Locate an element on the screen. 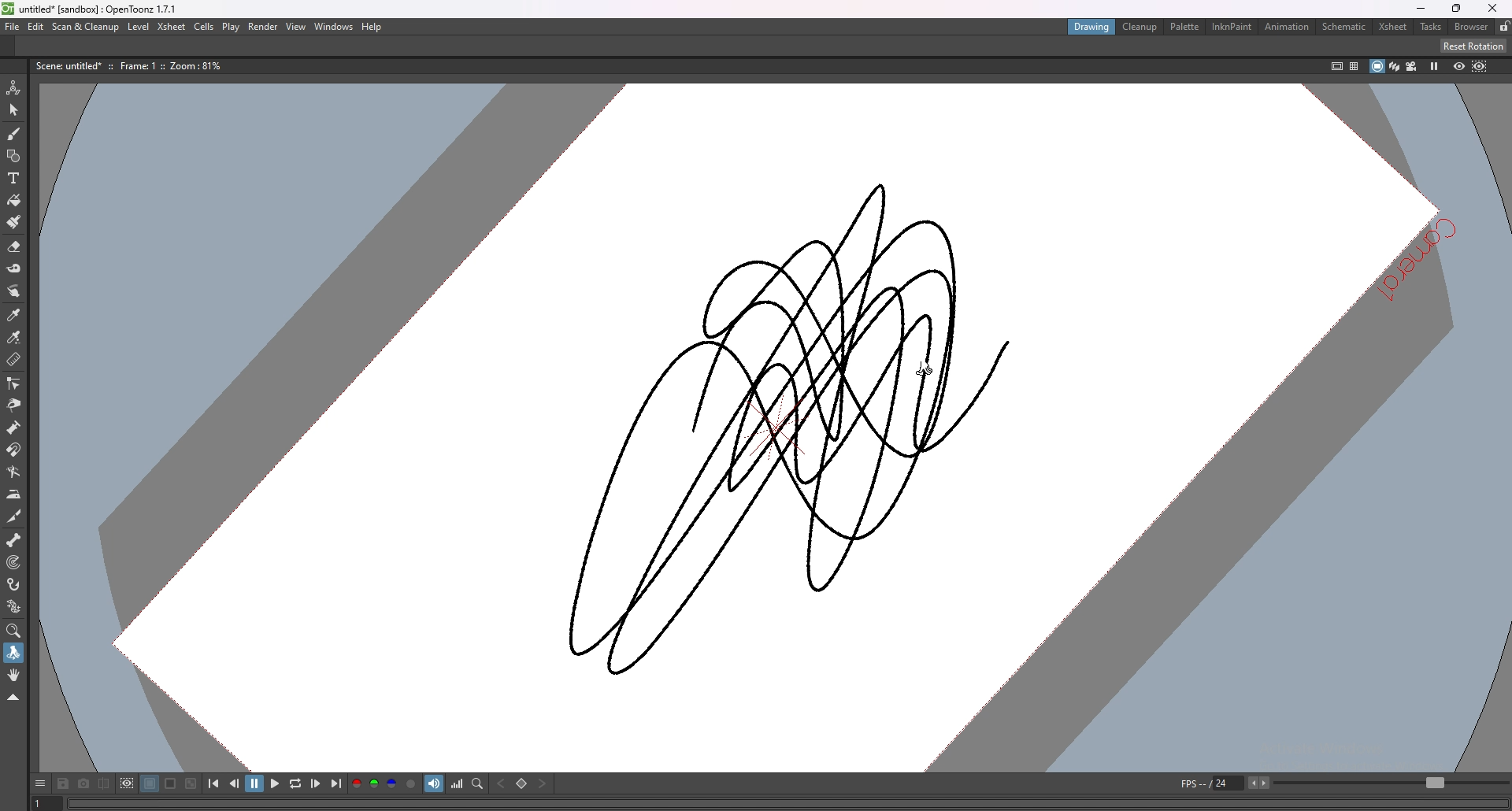  type tool is located at coordinates (13, 177).